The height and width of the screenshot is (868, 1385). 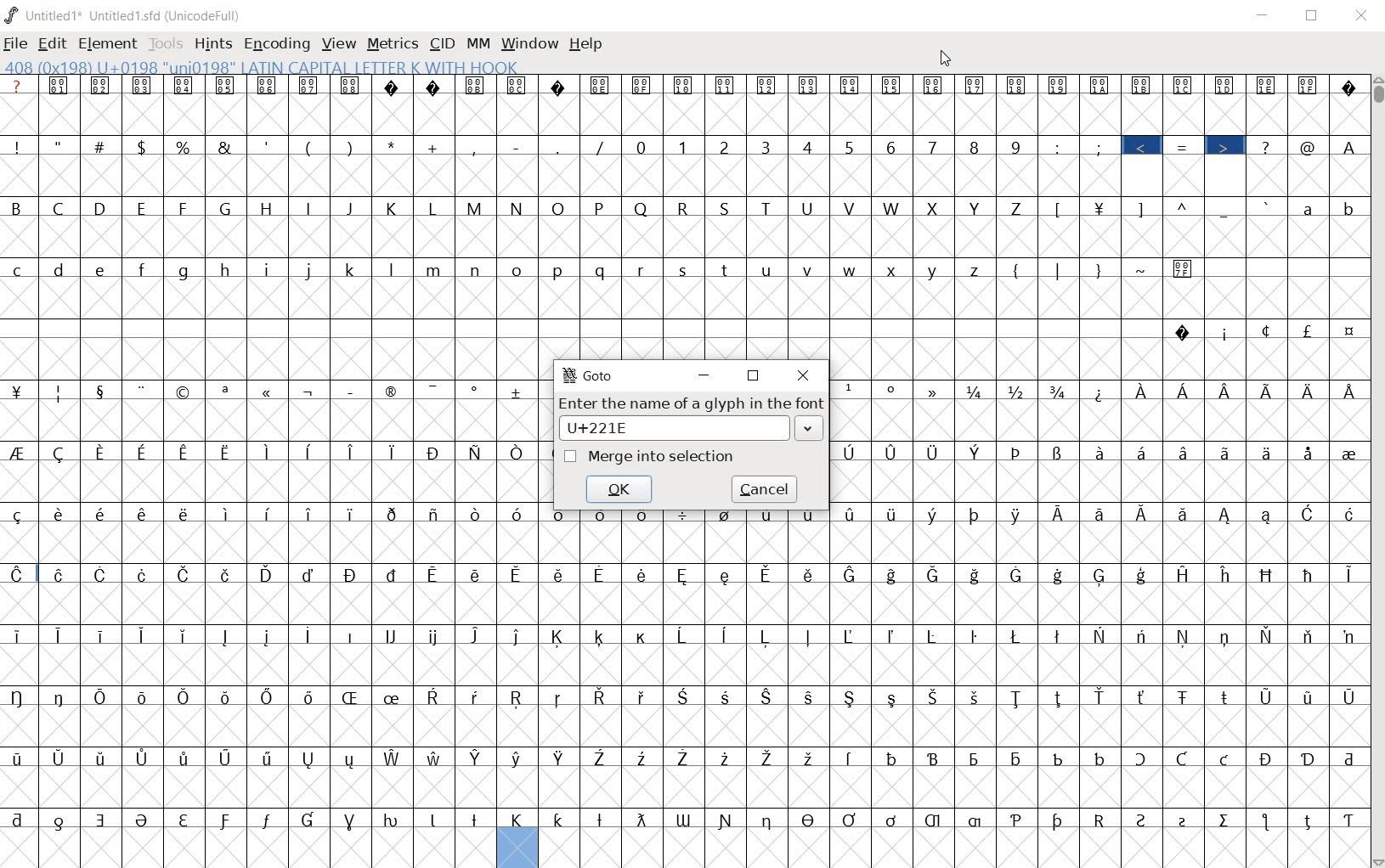 What do you see at coordinates (1094, 419) in the screenshot?
I see `` at bounding box center [1094, 419].